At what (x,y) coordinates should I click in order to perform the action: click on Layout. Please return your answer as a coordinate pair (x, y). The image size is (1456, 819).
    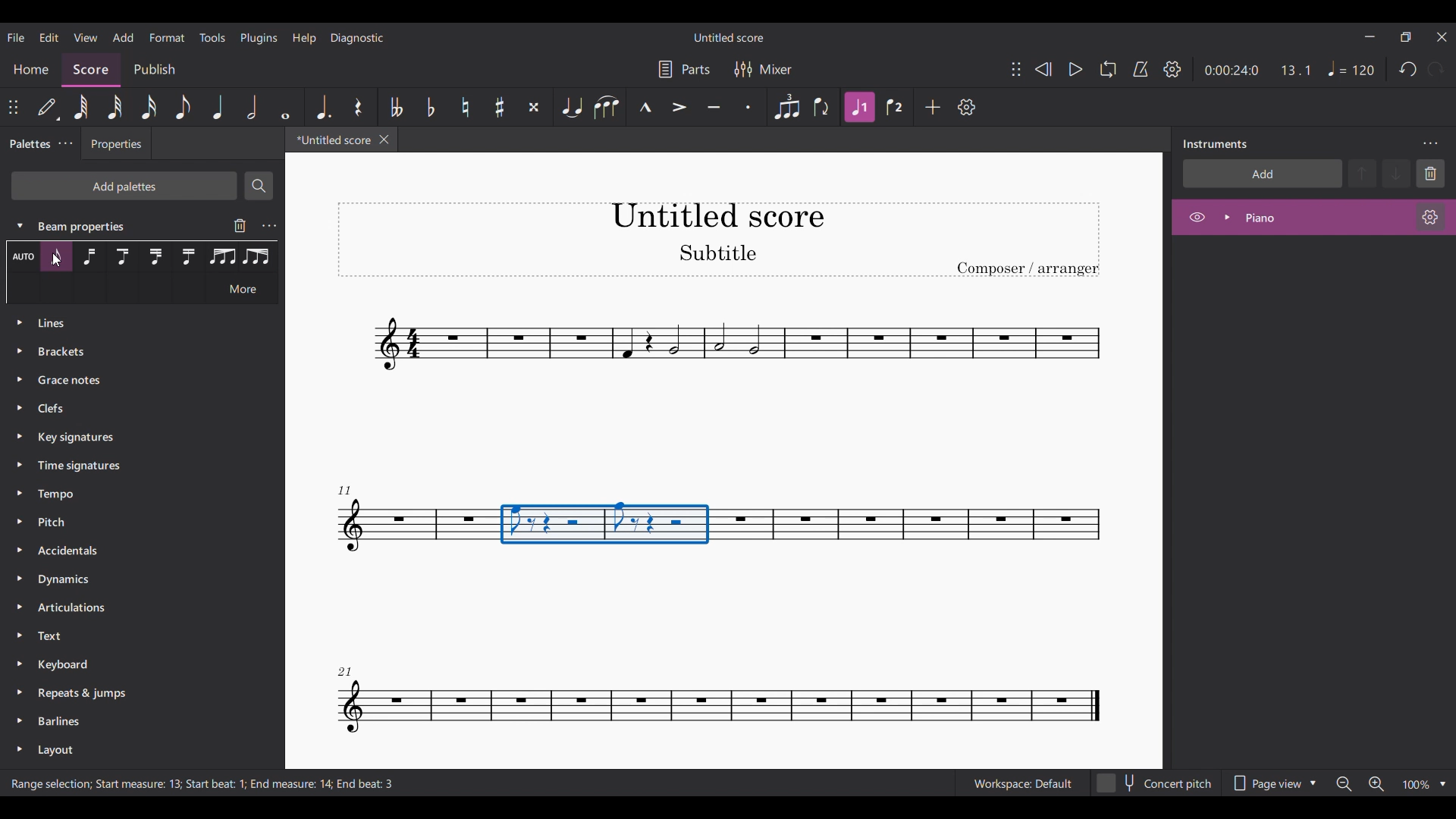
    Looking at the image, I should click on (130, 752).